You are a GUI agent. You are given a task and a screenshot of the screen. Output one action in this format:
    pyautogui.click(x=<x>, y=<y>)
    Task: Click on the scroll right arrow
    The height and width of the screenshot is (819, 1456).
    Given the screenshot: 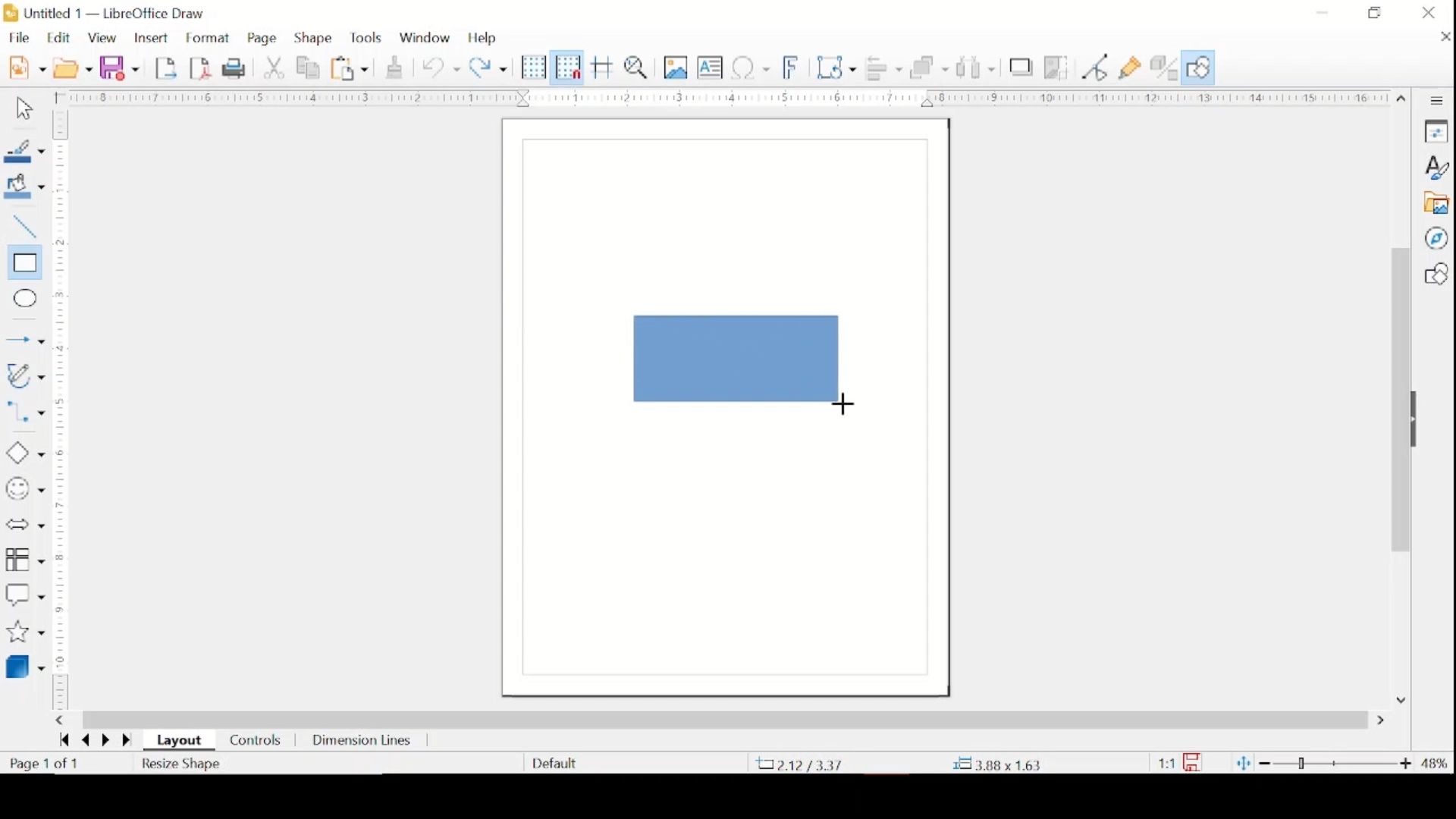 What is the action you would take?
    pyautogui.click(x=1384, y=721)
    